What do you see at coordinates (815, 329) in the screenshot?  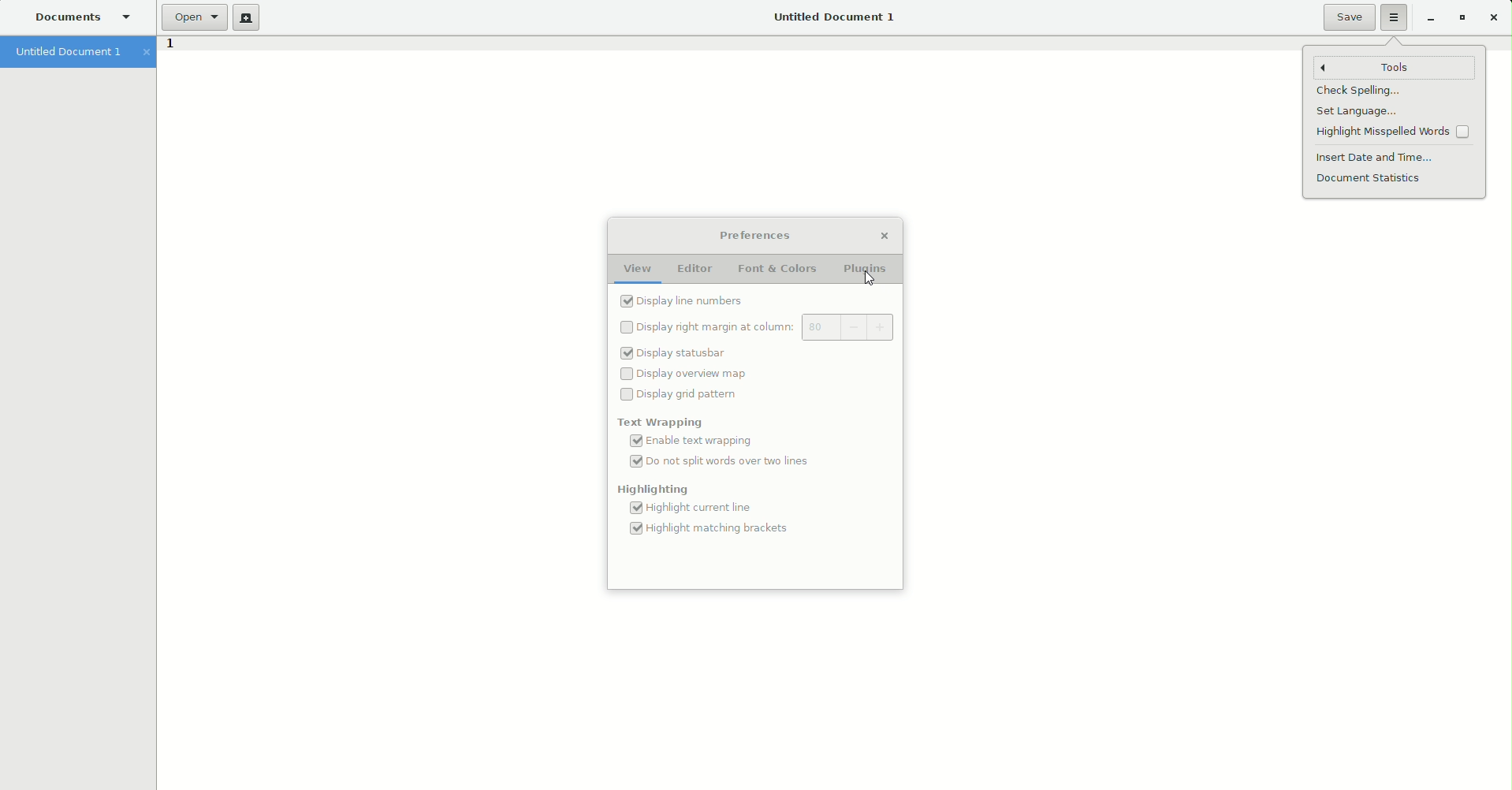 I see `80` at bounding box center [815, 329].